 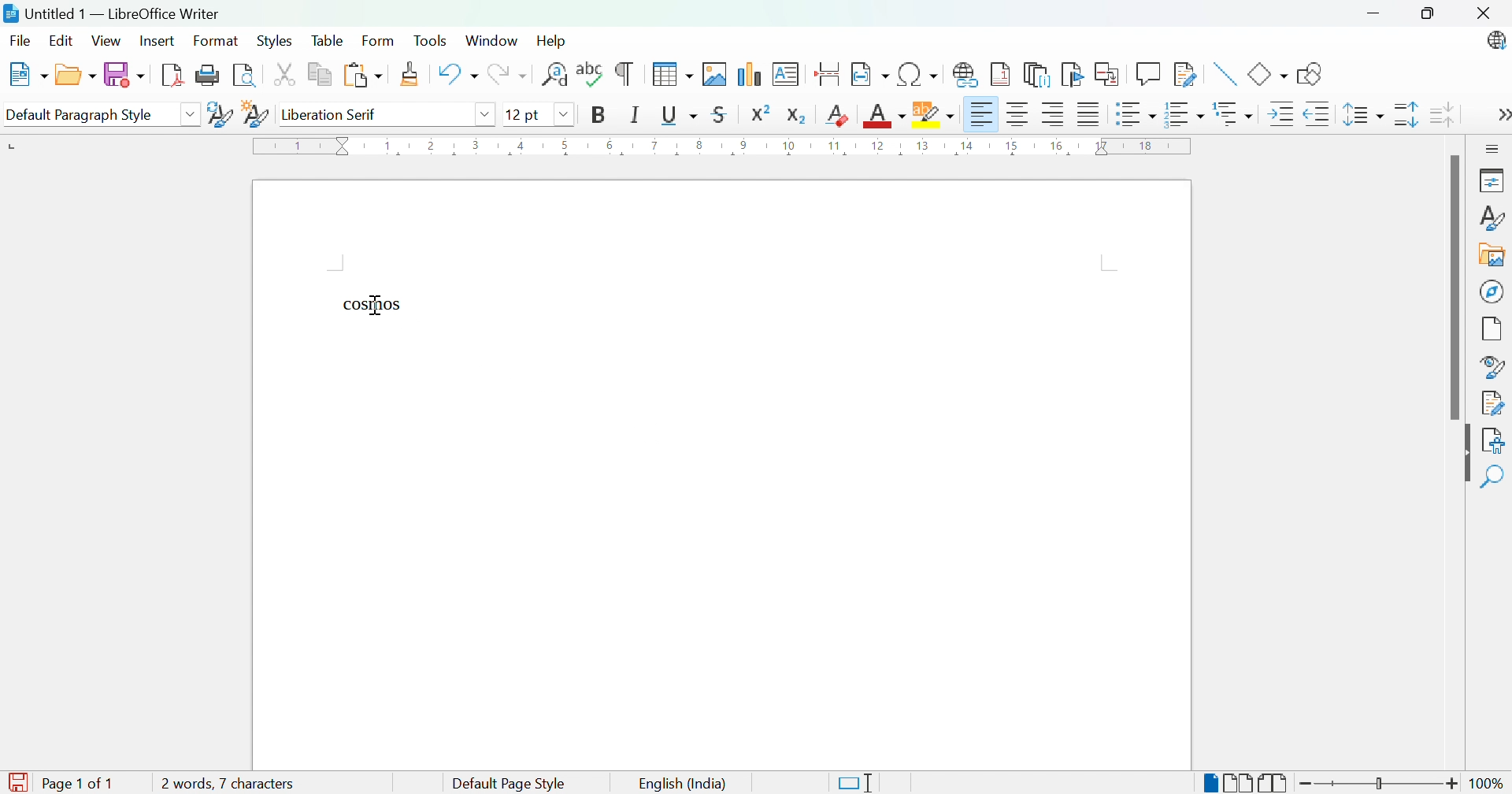 I want to click on File, so click(x=22, y=41).